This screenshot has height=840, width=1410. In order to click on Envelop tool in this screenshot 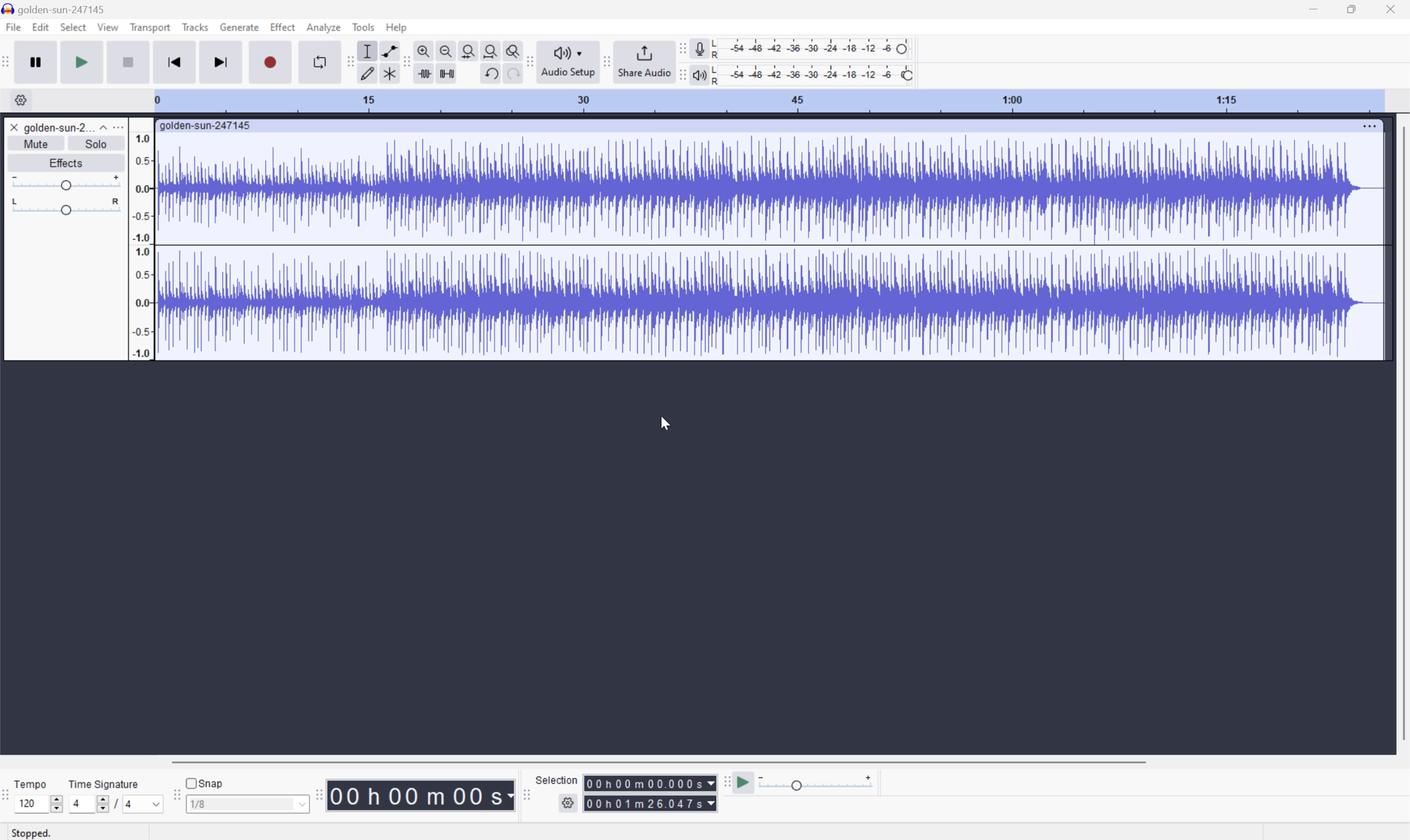, I will do `click(387, 50)`.